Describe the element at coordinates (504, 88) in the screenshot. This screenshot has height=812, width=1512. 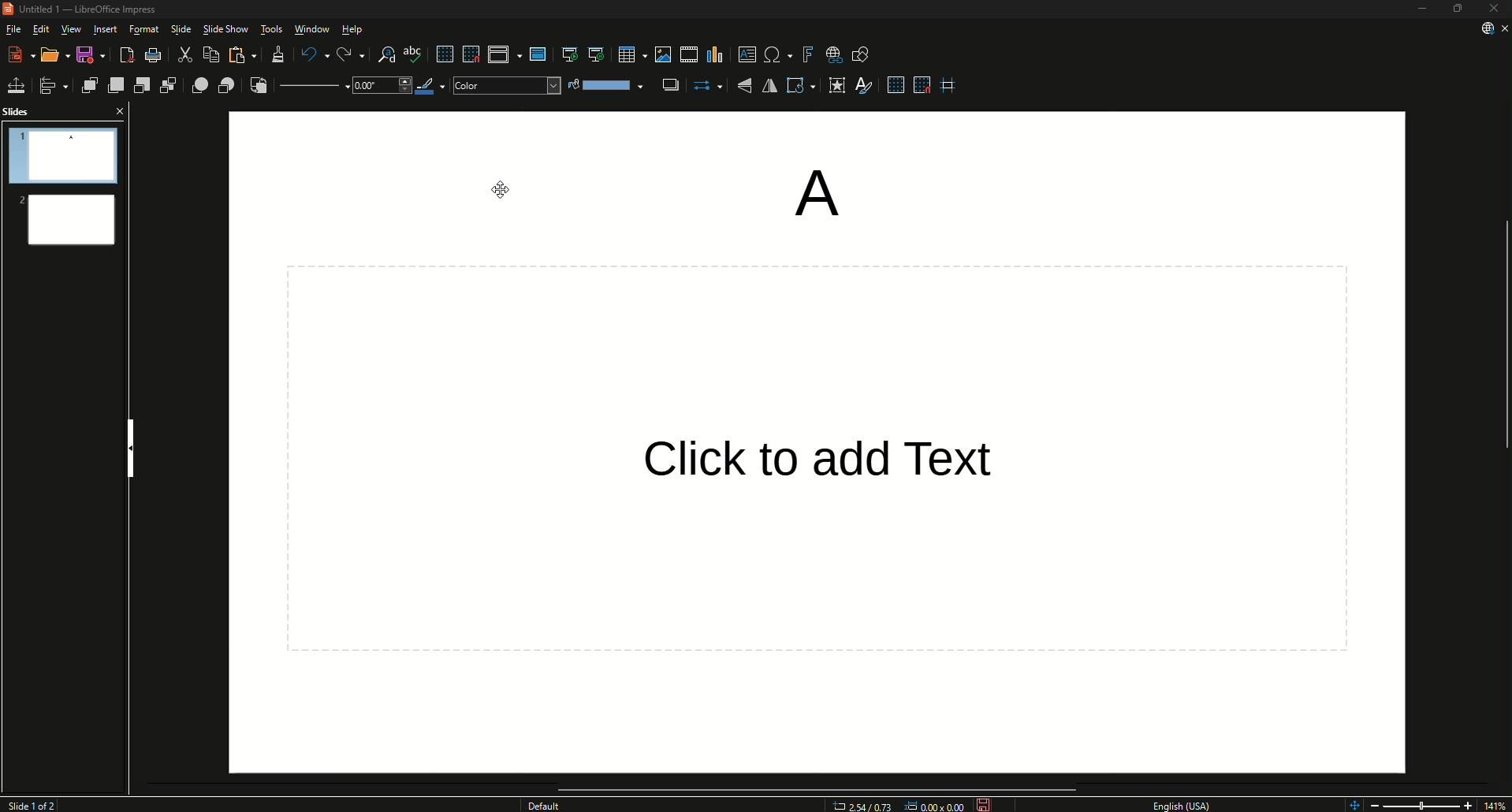
I see `Color Drop Down` at that location.